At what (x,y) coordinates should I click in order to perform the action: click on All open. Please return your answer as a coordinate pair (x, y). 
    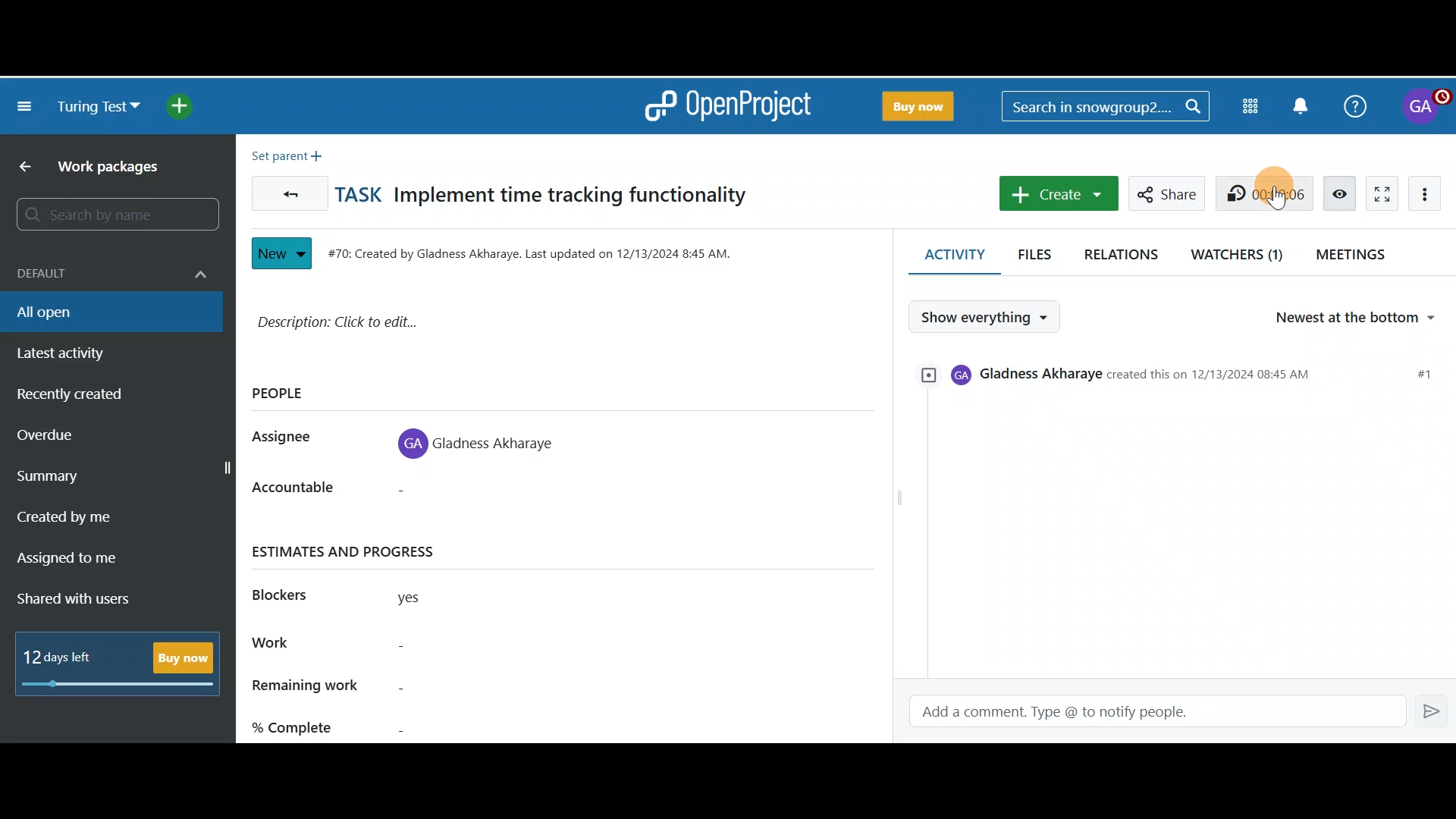
    Looking at the image, I should click on (101, 311).